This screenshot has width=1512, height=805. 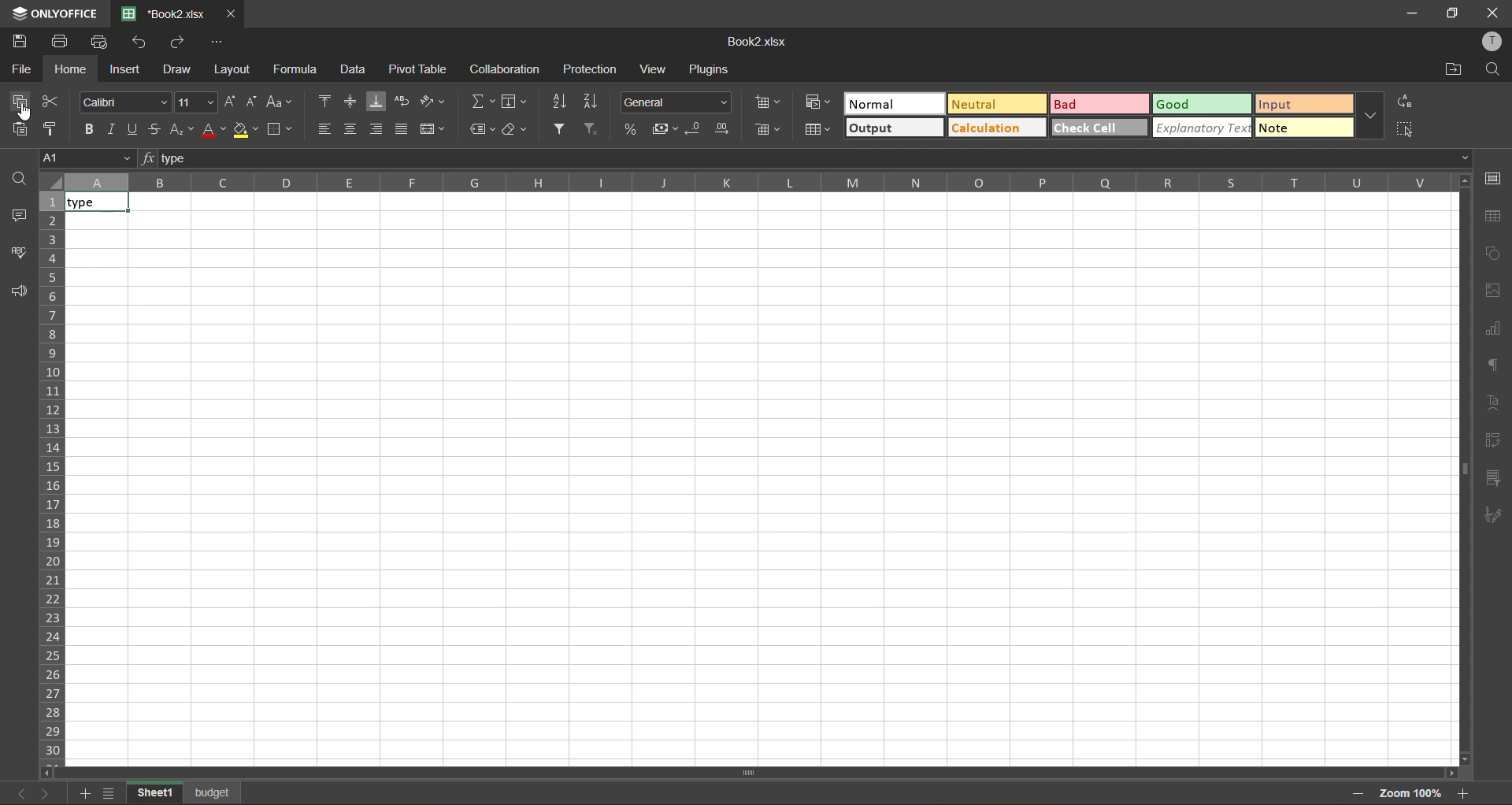 What do you see at coordinates (402, 101) in the screenshot?
I see `wrap text` at bounding box center [402, 101].